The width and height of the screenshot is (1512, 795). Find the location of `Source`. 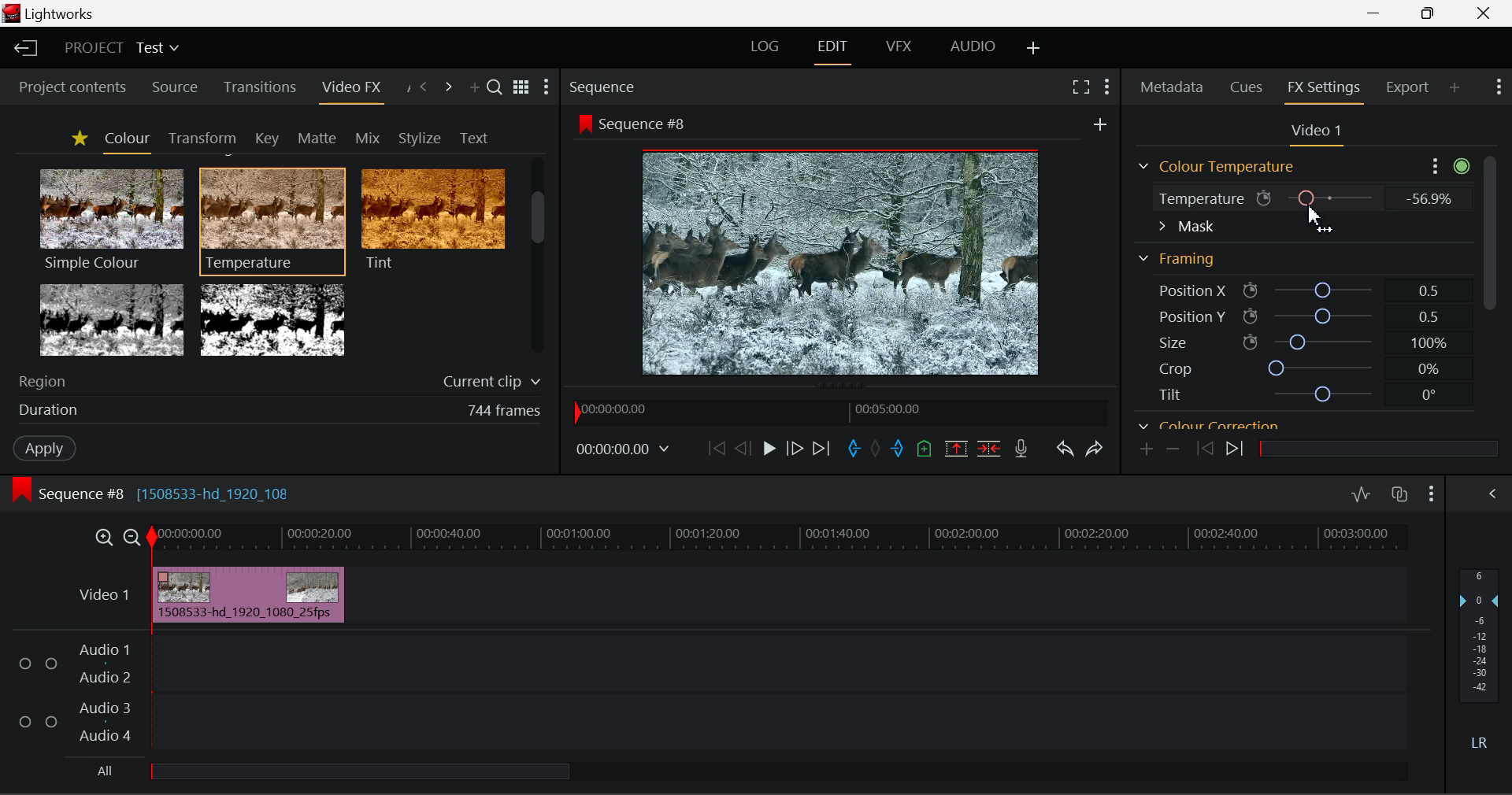

Source is located at coordinates (176, 90).